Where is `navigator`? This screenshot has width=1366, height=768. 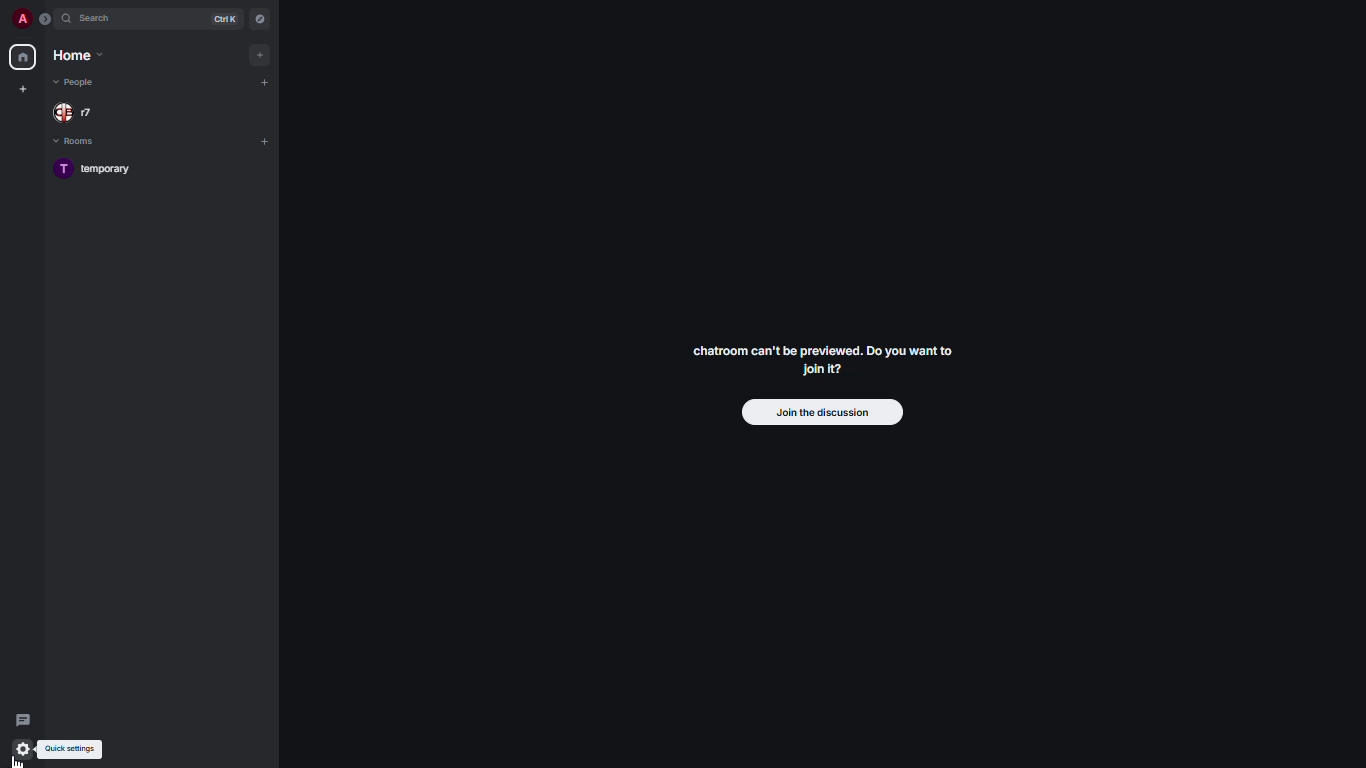 navigator is located at coordinates (259, 18).